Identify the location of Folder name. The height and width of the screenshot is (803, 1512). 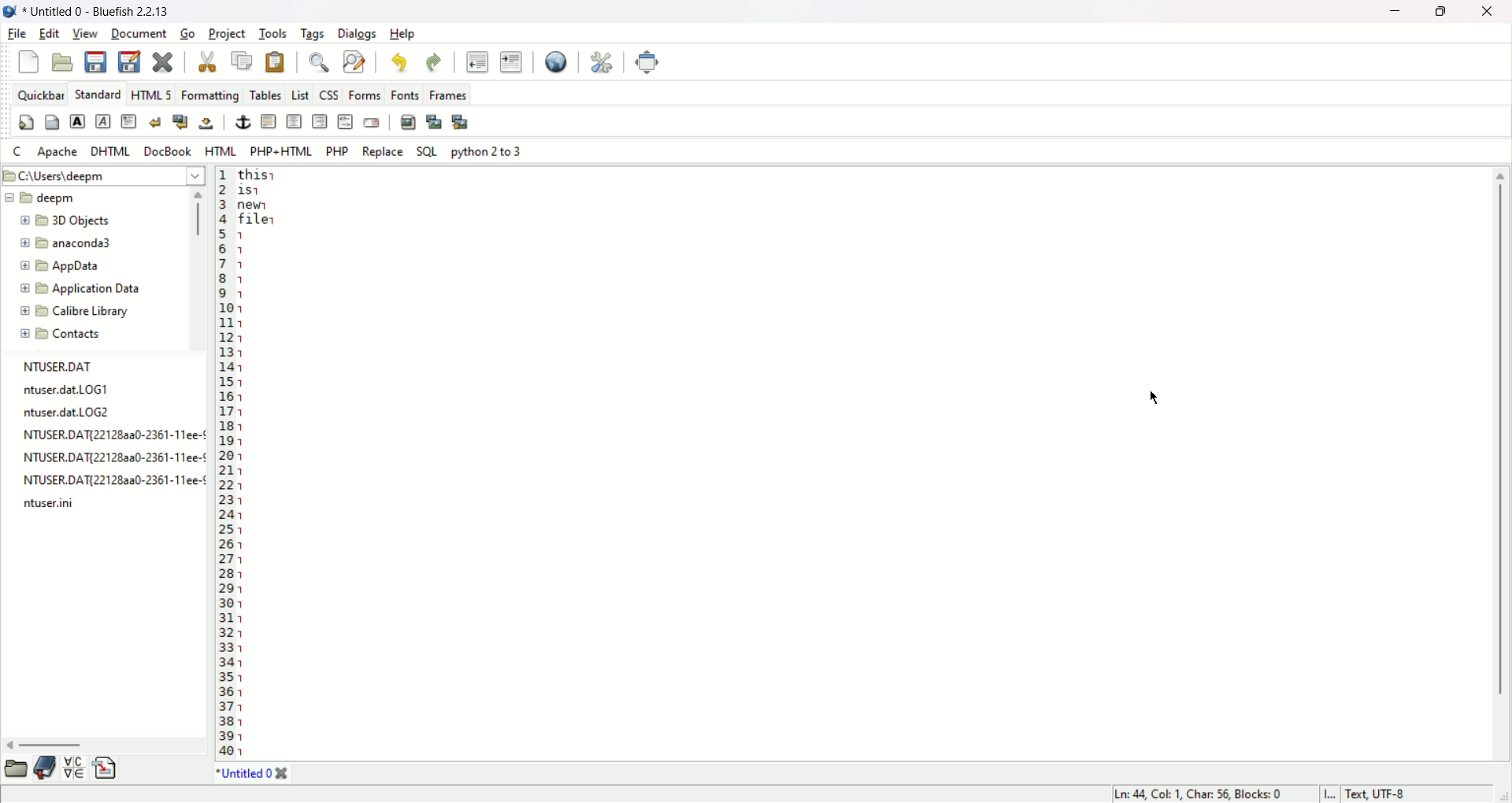
(41, 198).